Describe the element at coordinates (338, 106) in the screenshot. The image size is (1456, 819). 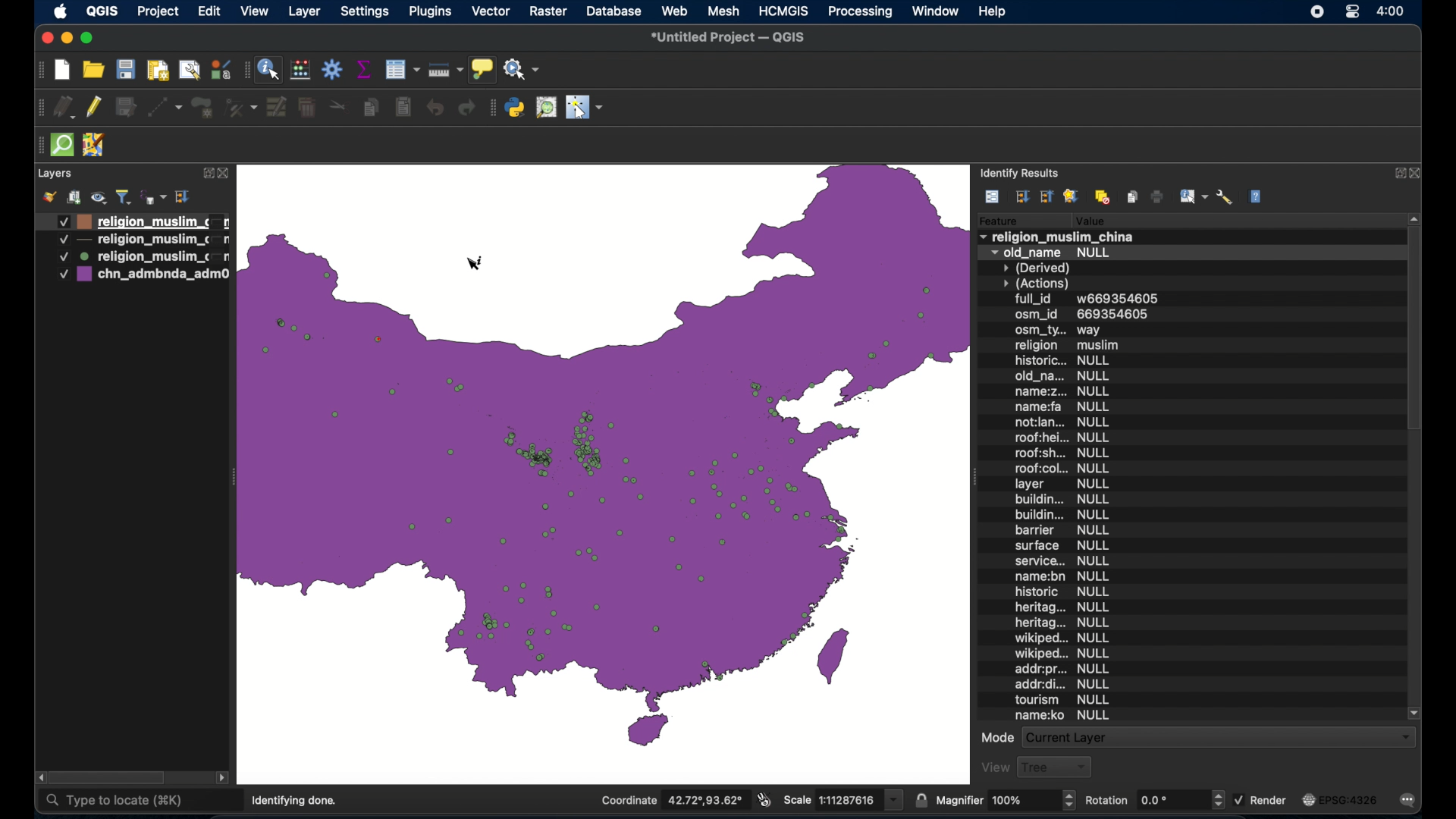
I see `cut features` at that location.